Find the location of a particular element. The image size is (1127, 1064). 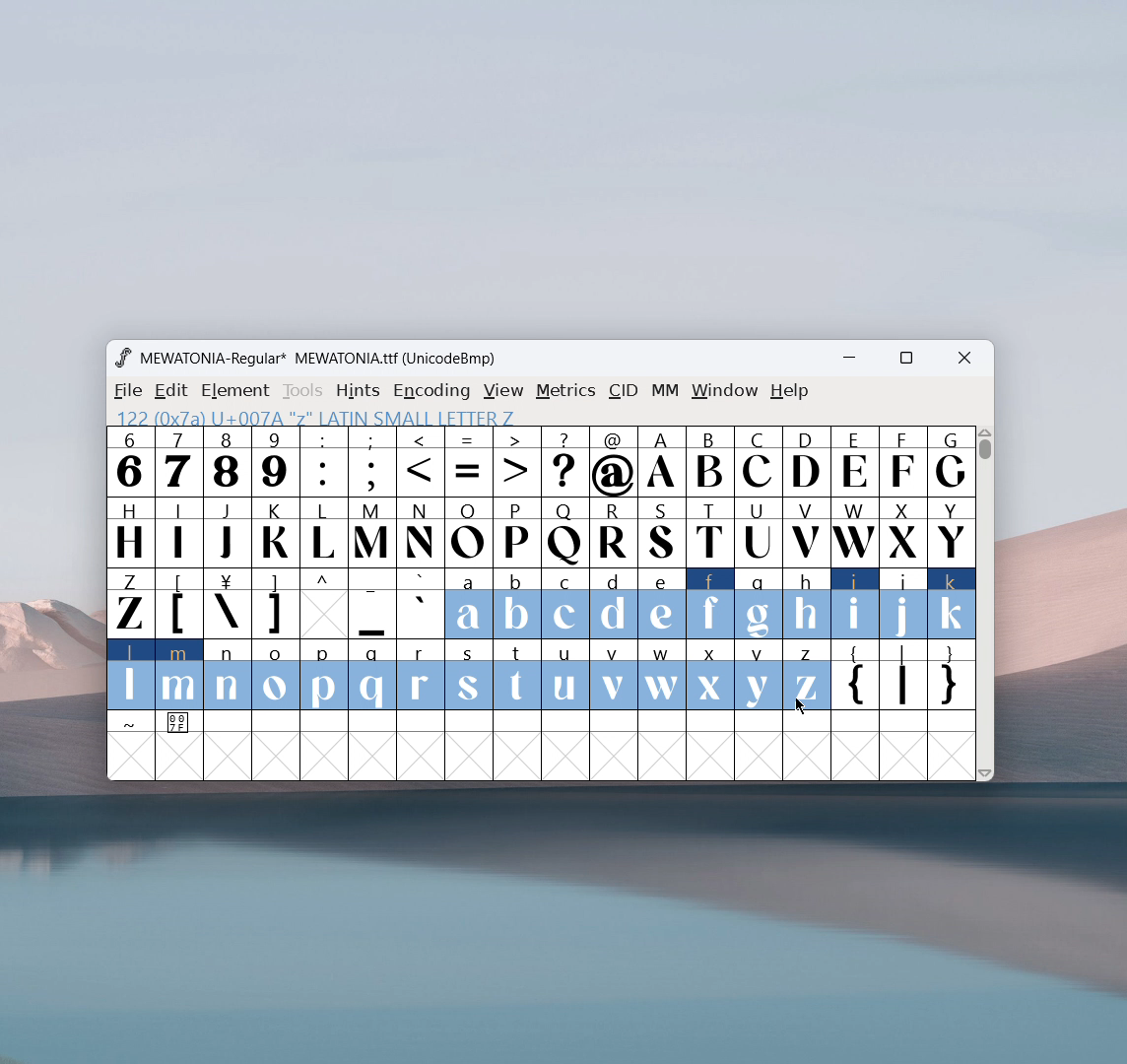

M is located at coordinates (373, 531).